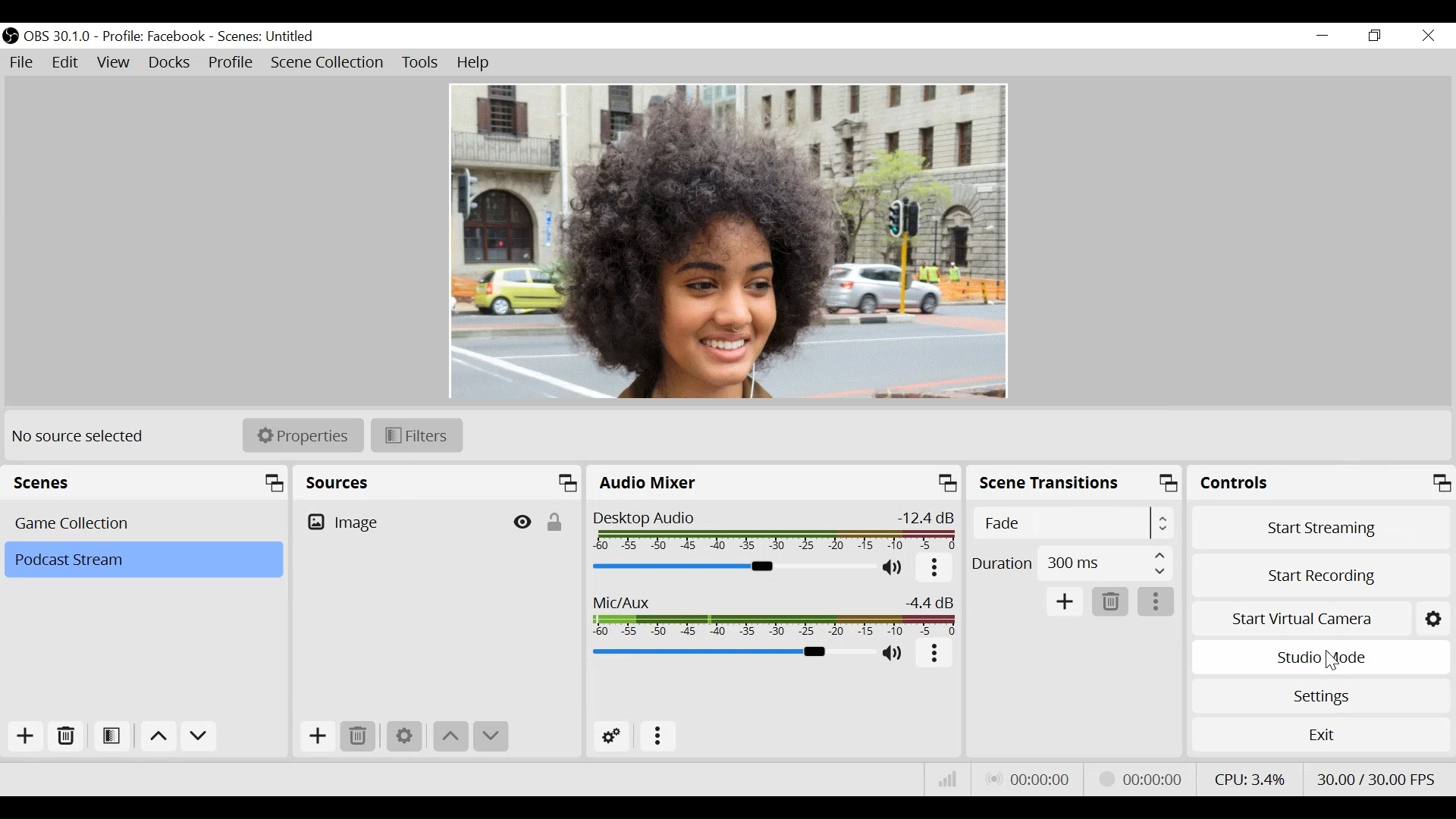 The width and height of the screenshot is (1456, 819). What do you see at coordinates (1321, 733) in the screenshot?
I see `Exit` at bounding box center [1321, 733].